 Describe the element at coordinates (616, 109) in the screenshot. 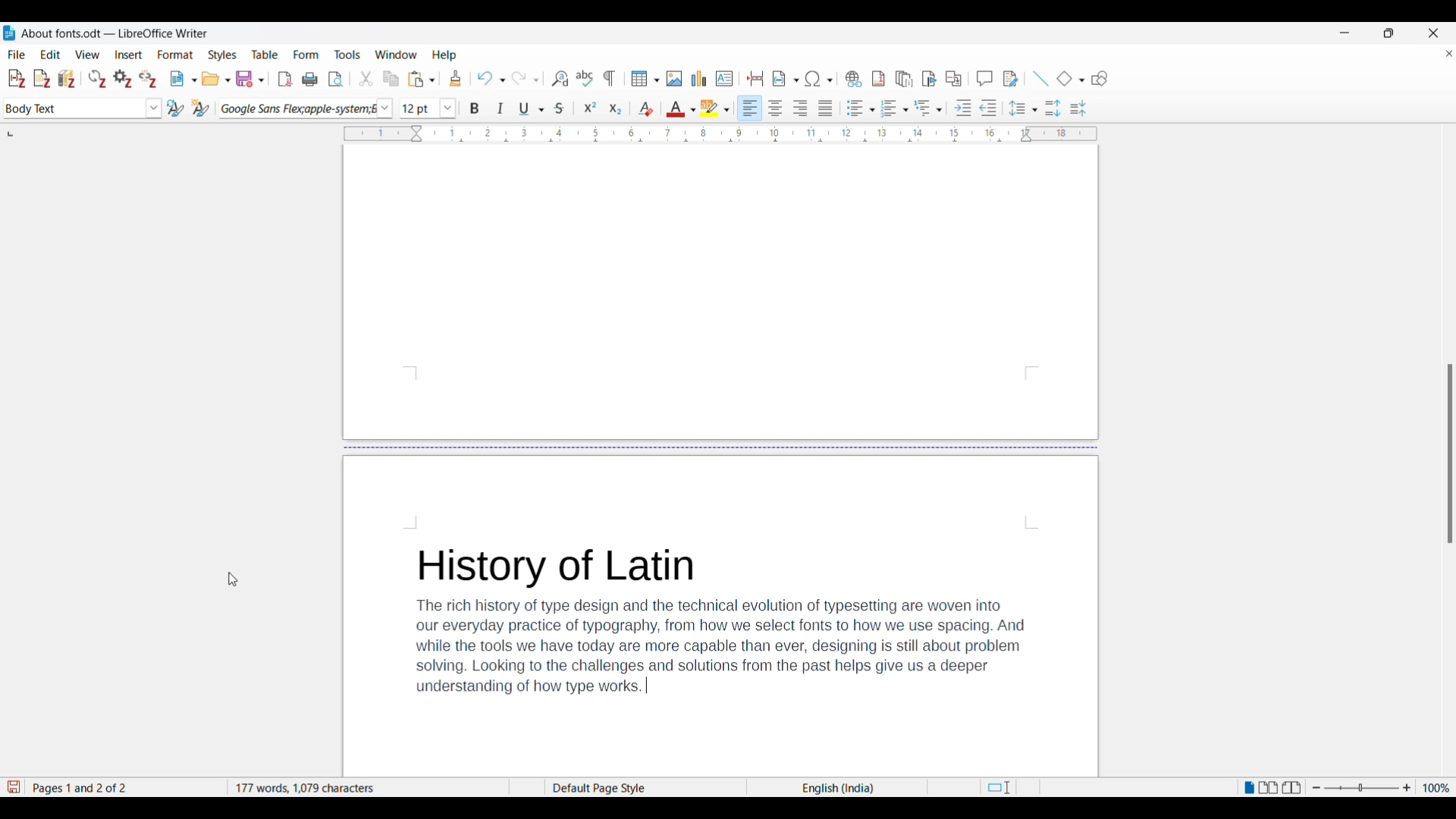

I see `Subscript` at that location.